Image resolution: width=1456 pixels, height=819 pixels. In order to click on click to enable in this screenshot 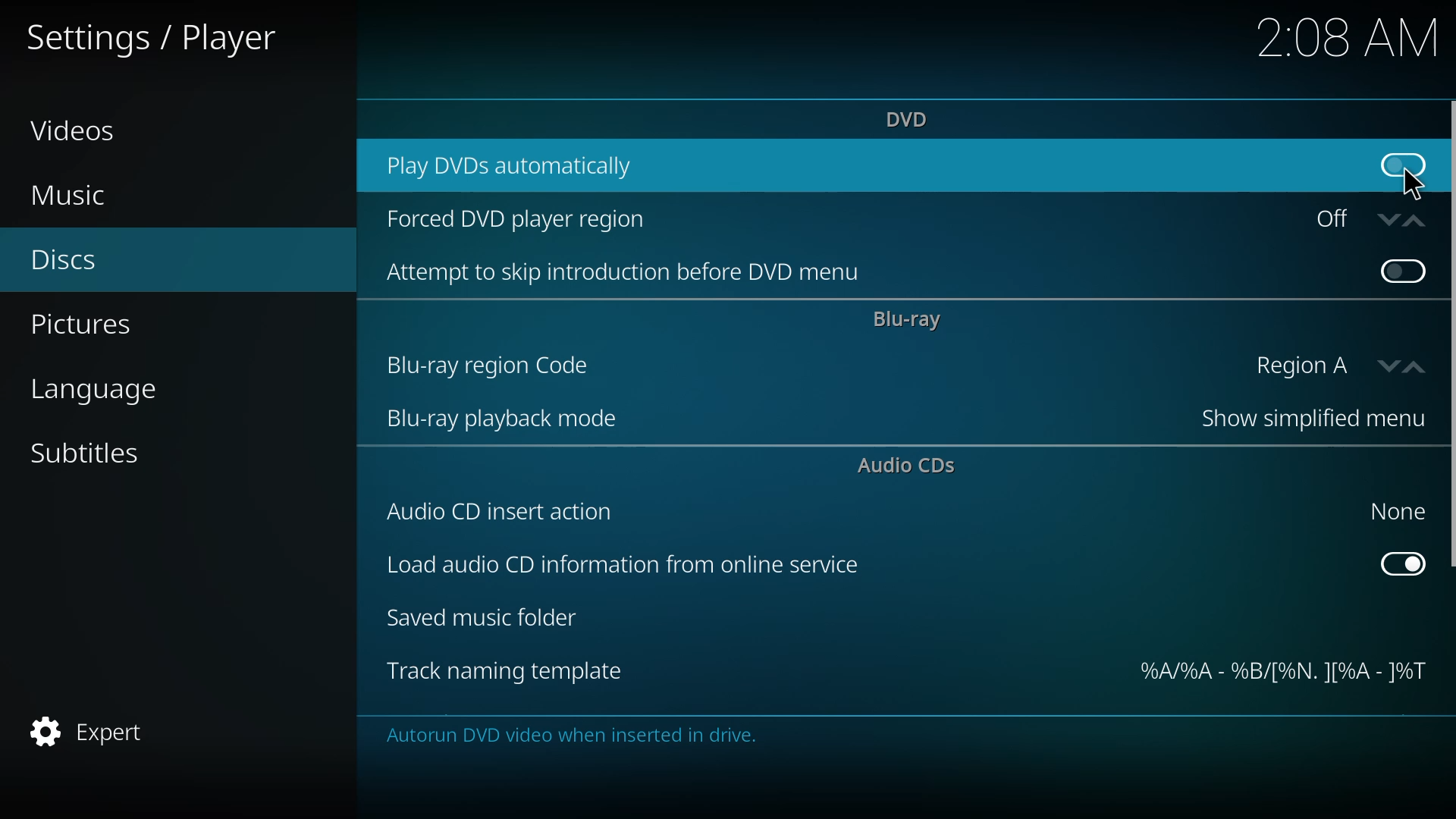, I will do `click(1400, 269)`.